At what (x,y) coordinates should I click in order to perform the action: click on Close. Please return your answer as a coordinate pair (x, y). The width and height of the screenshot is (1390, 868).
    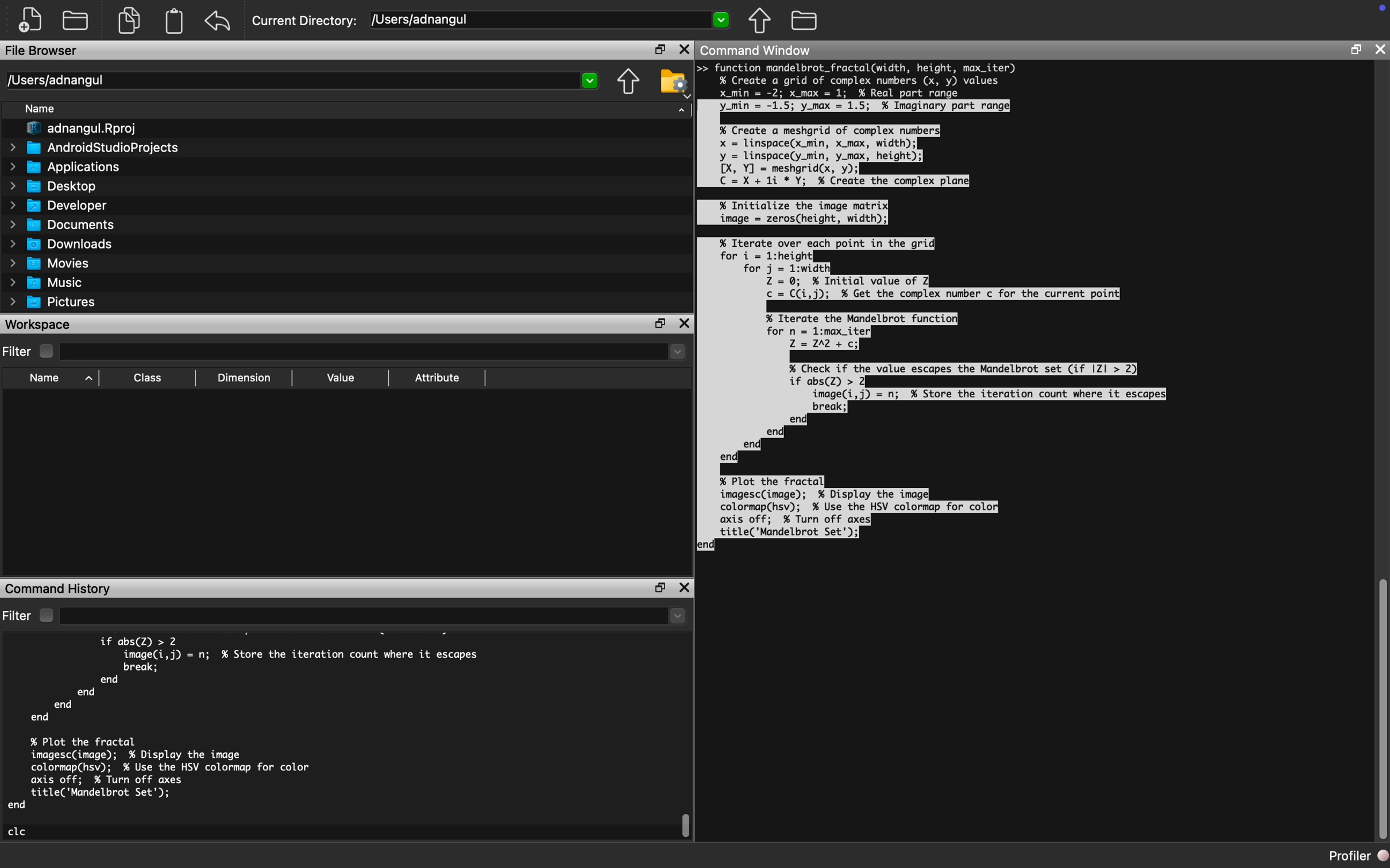
    Looking at the image, I should click on (684, 588).